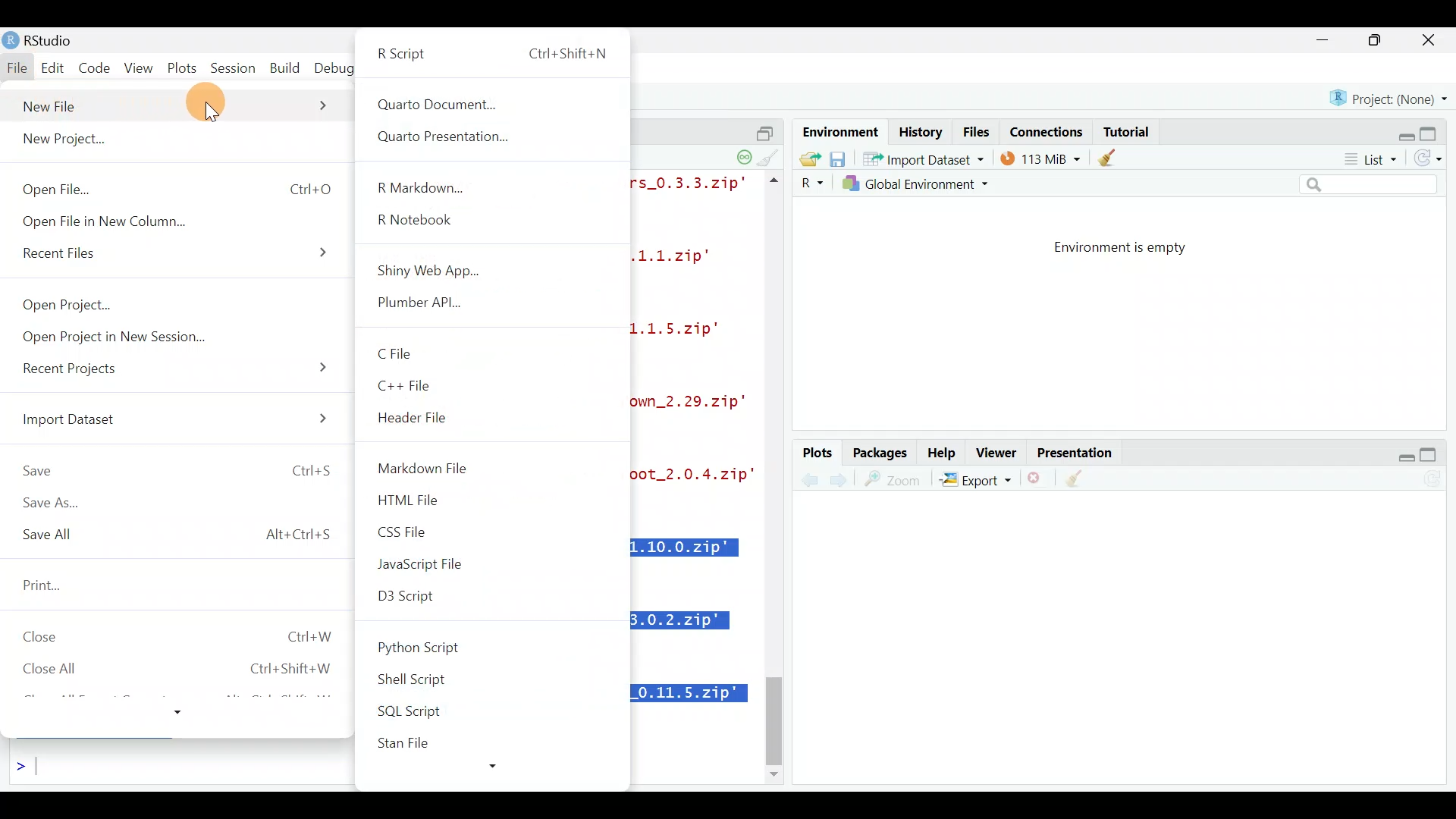  I want to click on R Notebook, so click(427, 219).